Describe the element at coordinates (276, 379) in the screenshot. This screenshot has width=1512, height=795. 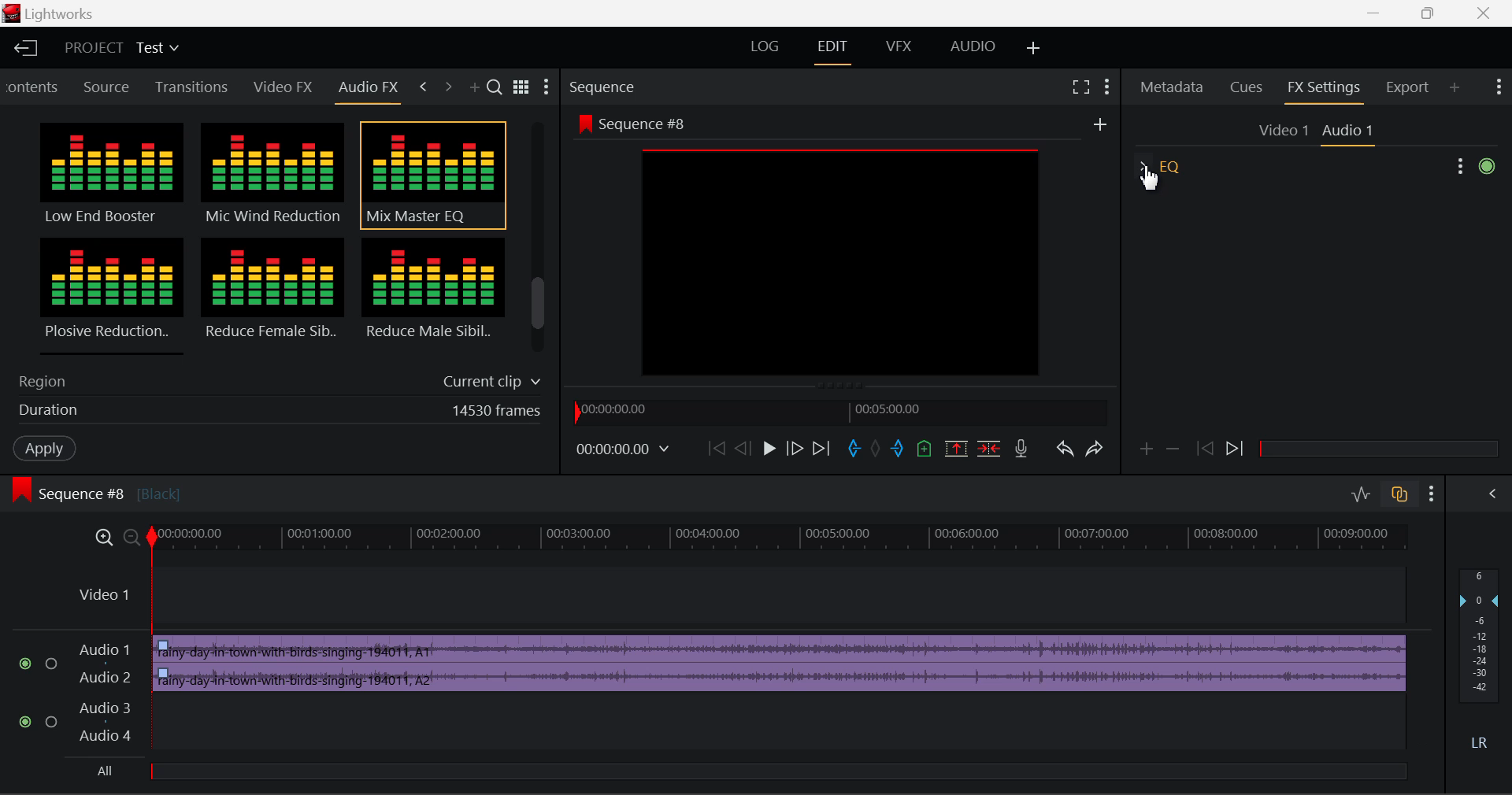
I see `Region` at that location.